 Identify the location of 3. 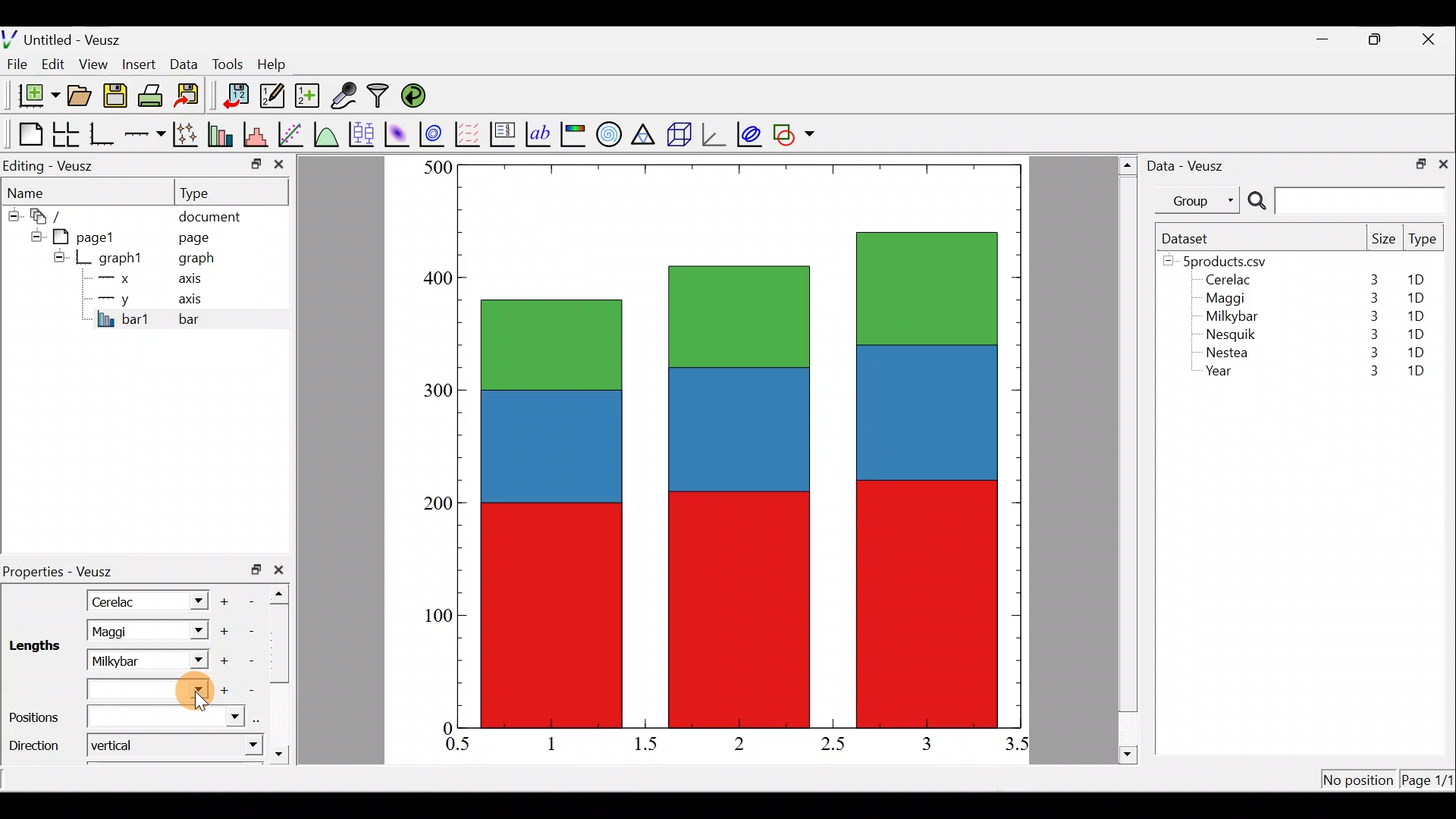
(1370, 355).